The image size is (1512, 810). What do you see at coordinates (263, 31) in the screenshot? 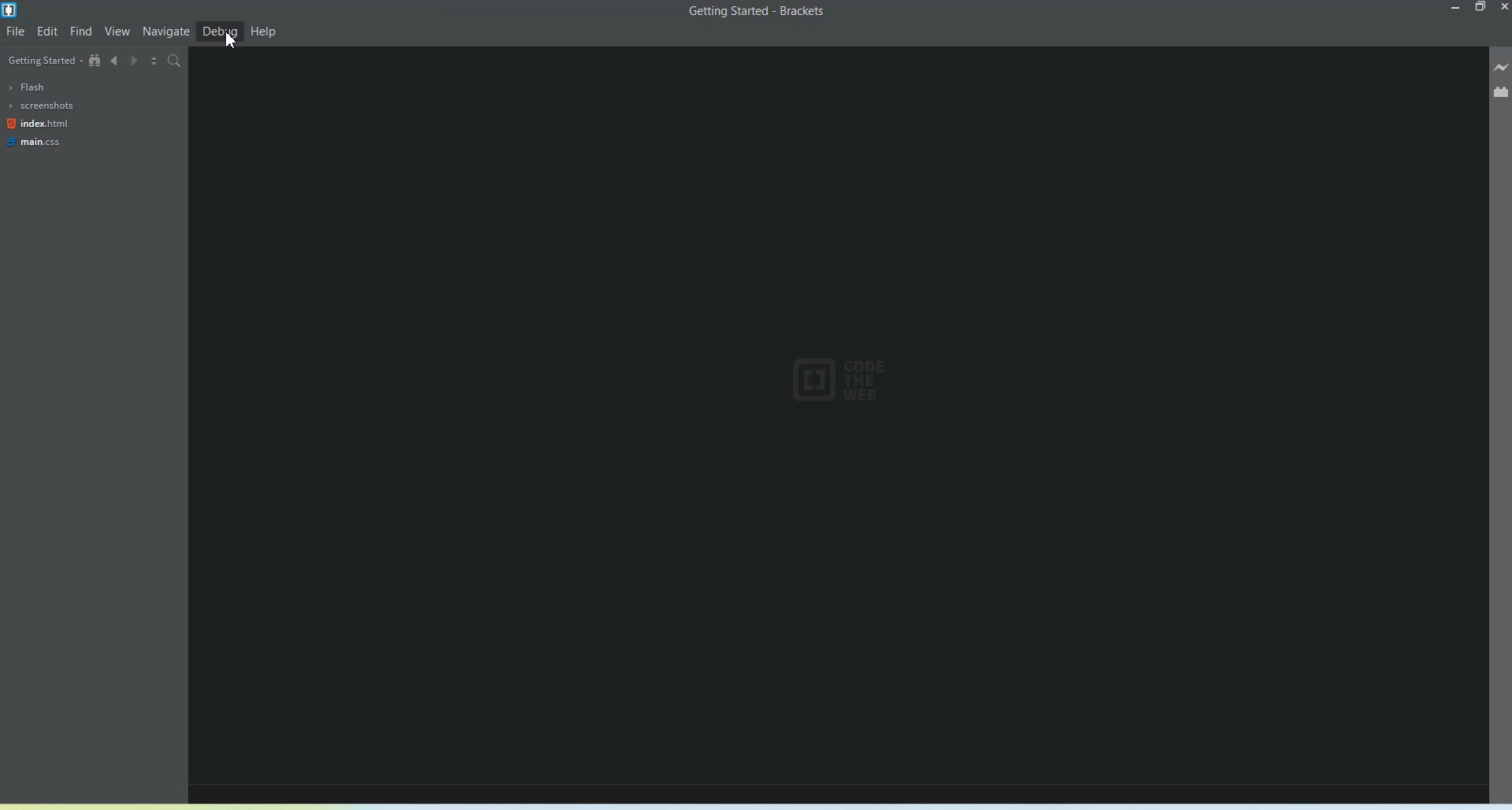
I see `Help` at bounding box center [263, 31].